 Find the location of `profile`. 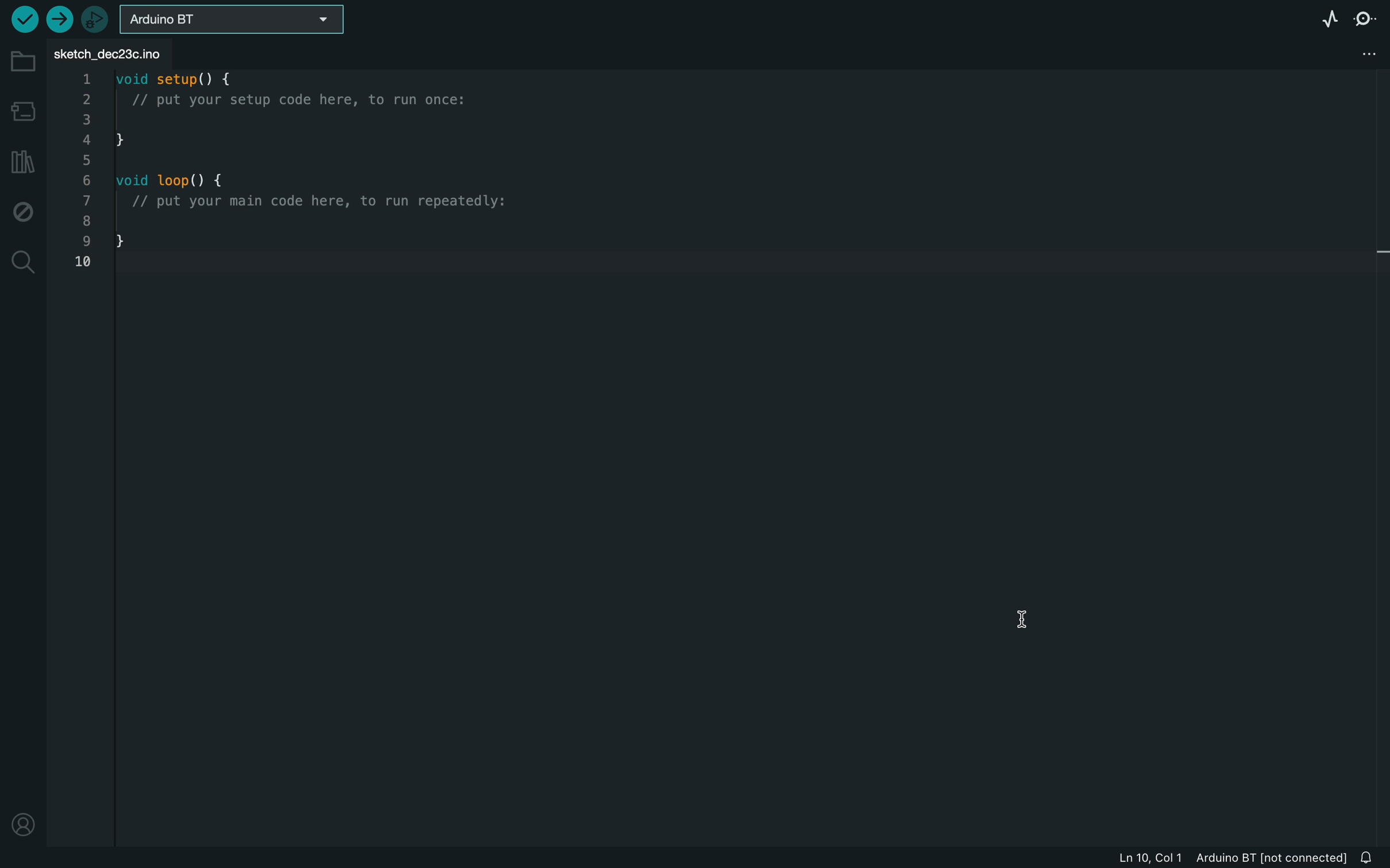

profile is located at coordinates (22, 821).